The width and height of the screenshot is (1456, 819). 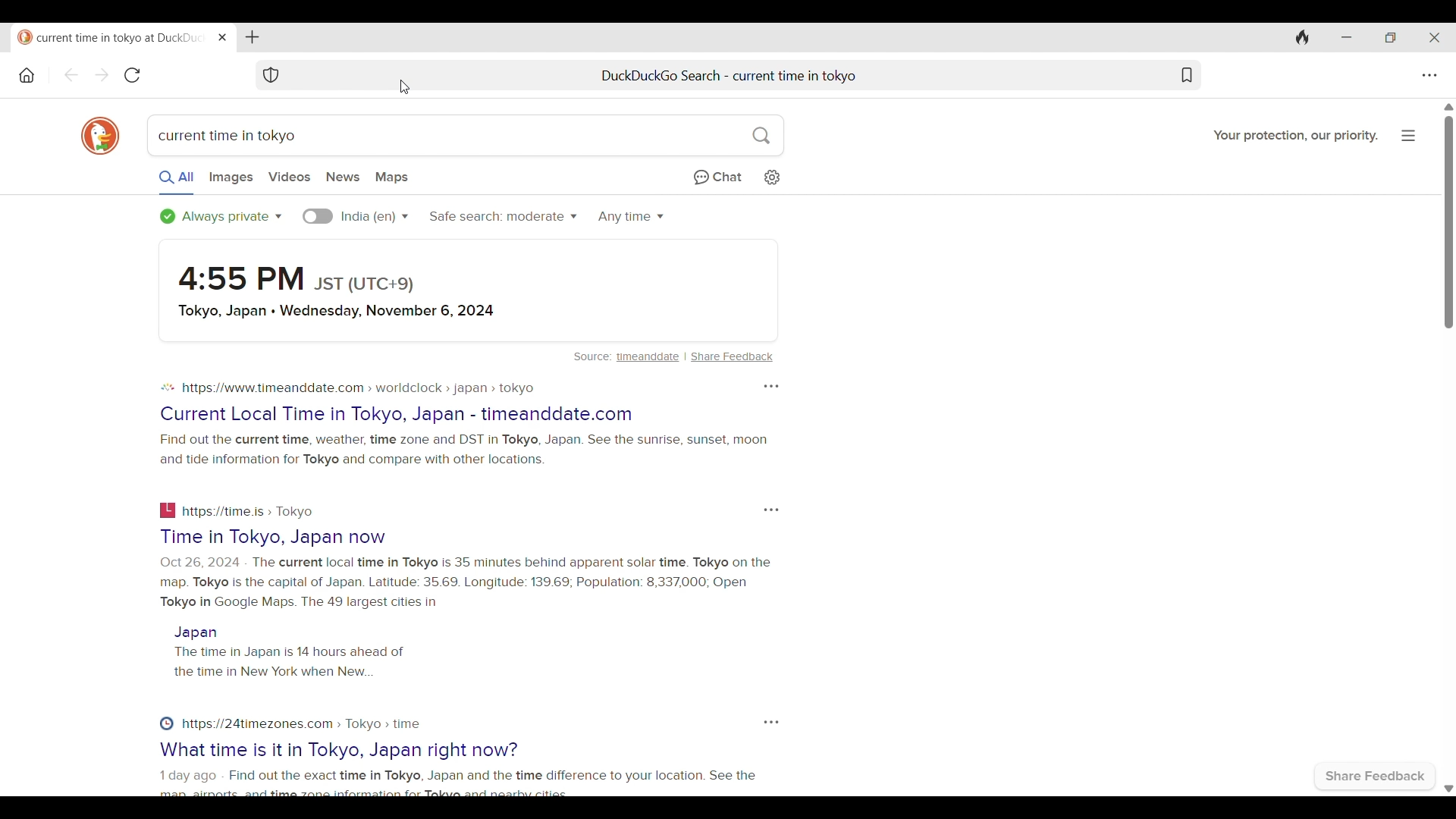 What do you see at coordinates (27, 75) in the screenshot?
I see `Home` at bounding box center [27, 75].